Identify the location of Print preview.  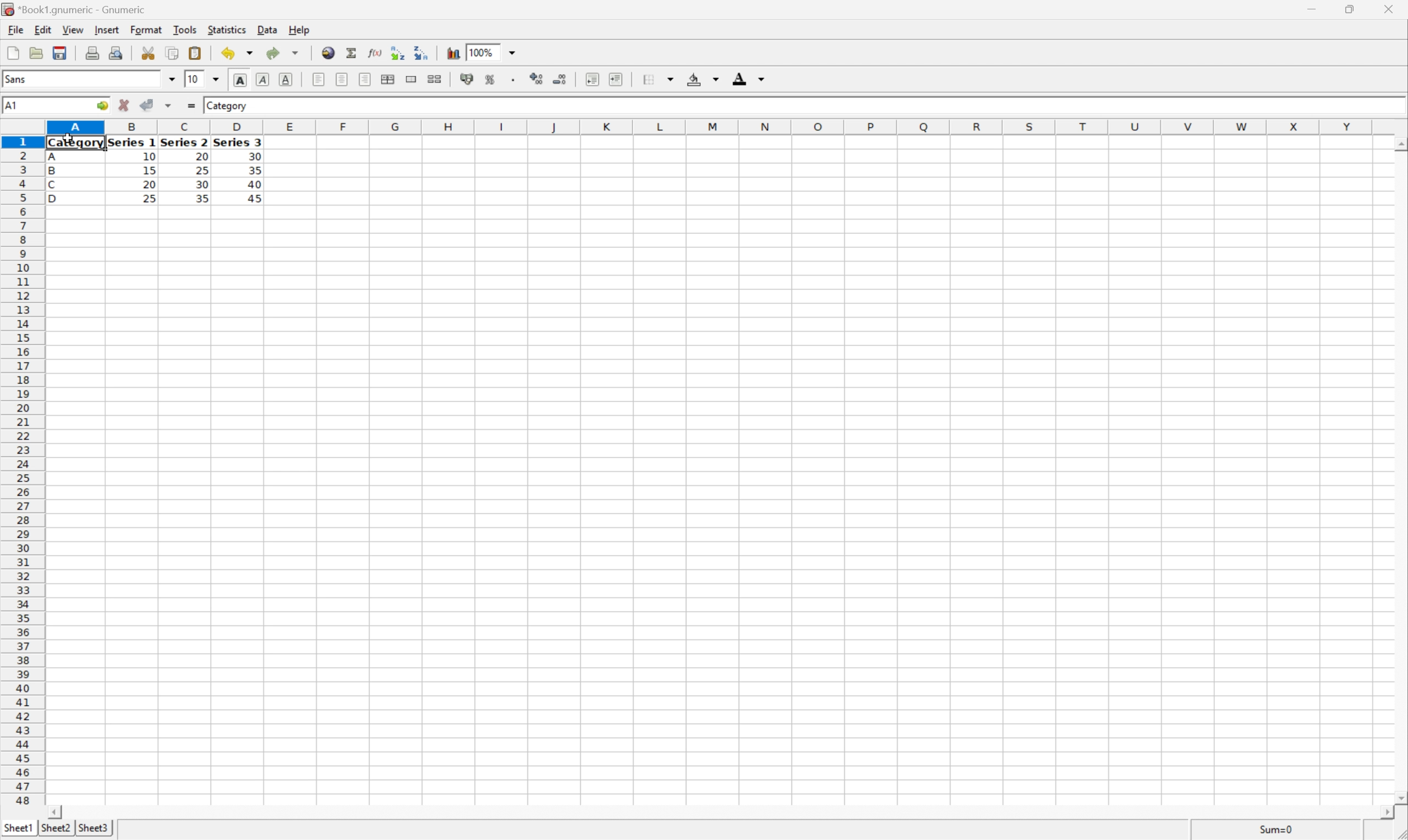
(117, 53).